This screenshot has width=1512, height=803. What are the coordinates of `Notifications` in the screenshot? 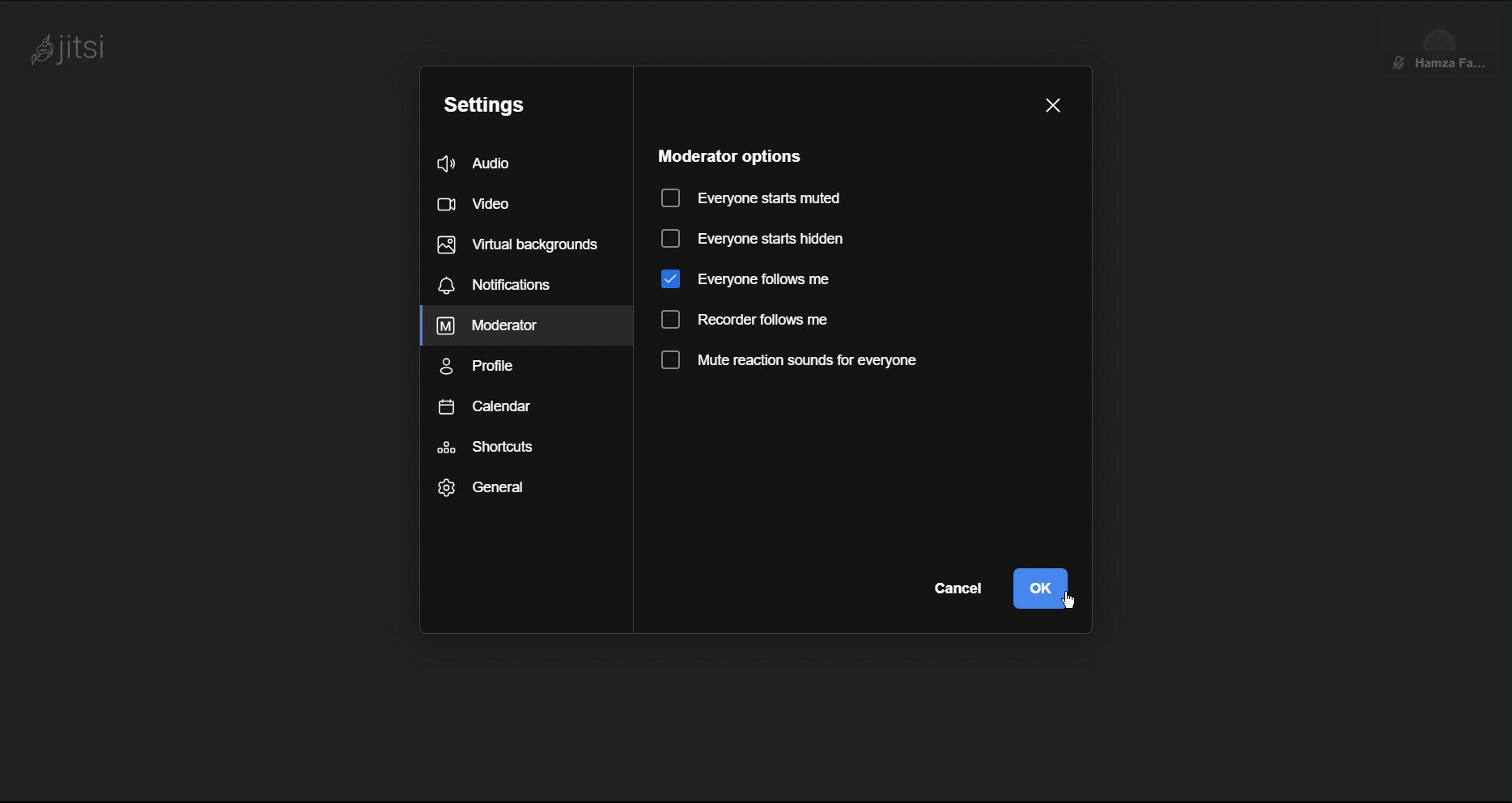 It's located at (500, 284).